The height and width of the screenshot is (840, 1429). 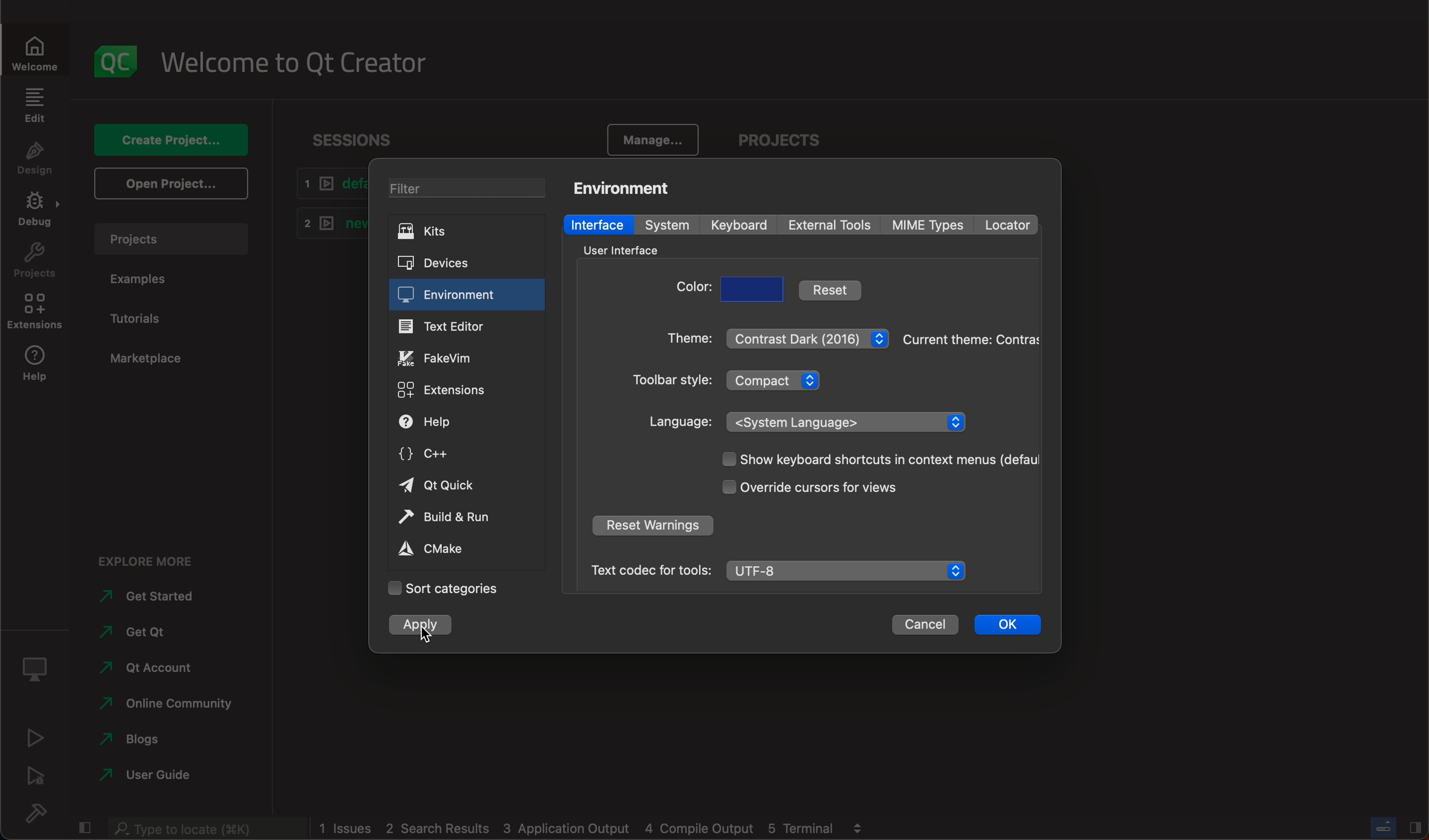 What do you see at coordinates (455, 261) in the screenshot?
I see `devices` at bounding box center [455, 261].